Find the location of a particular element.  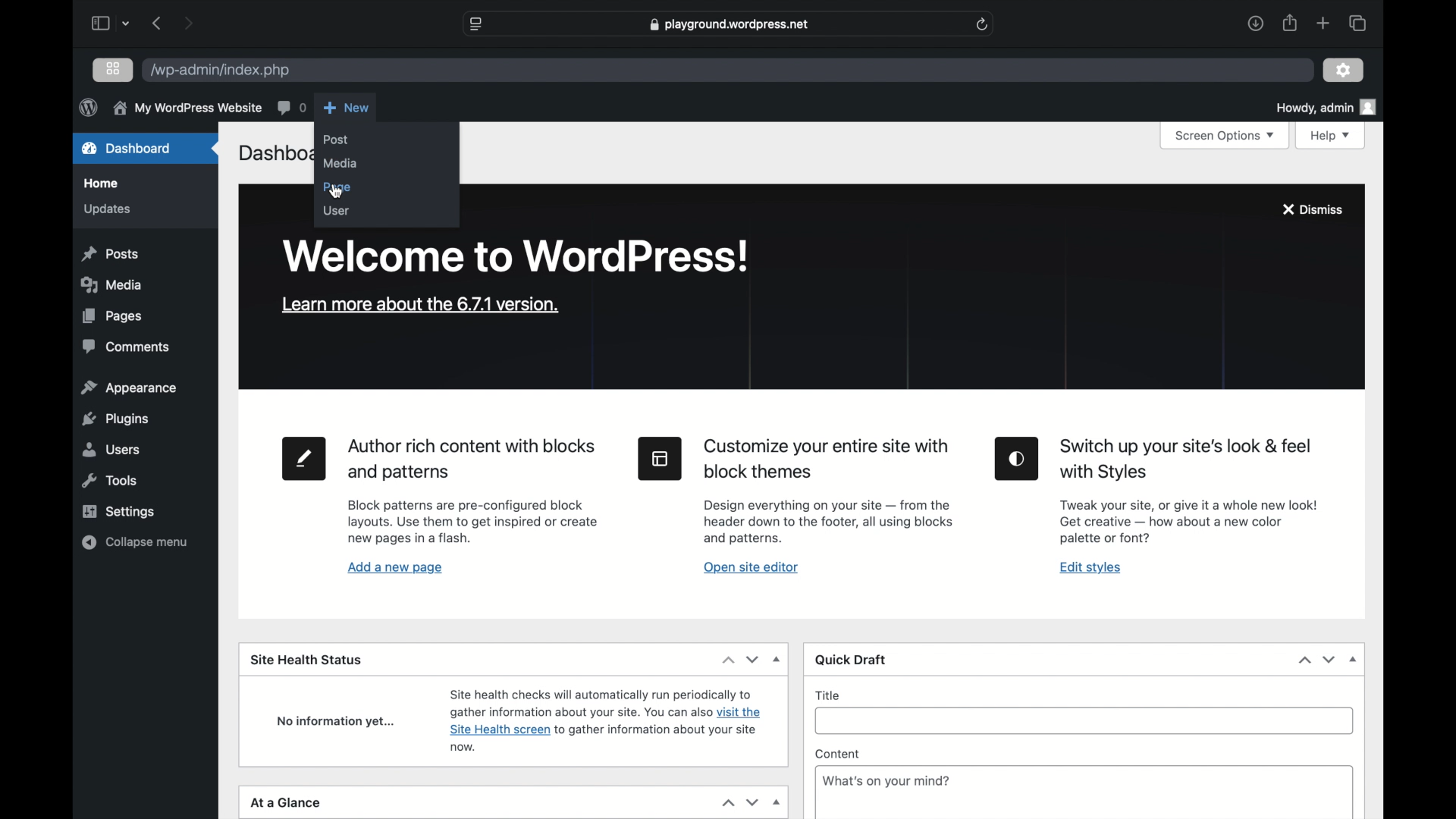

posts is located at coordinates (109, 254).